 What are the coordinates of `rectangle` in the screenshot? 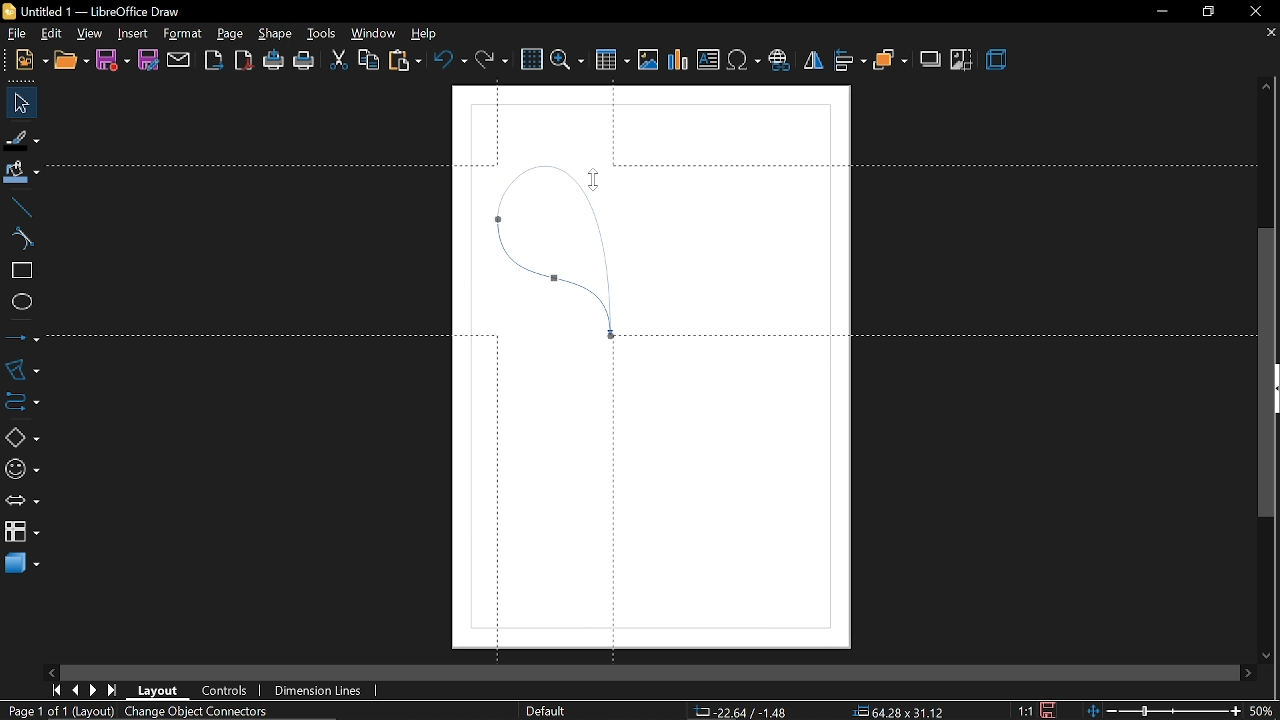 It's located at (18, 271).